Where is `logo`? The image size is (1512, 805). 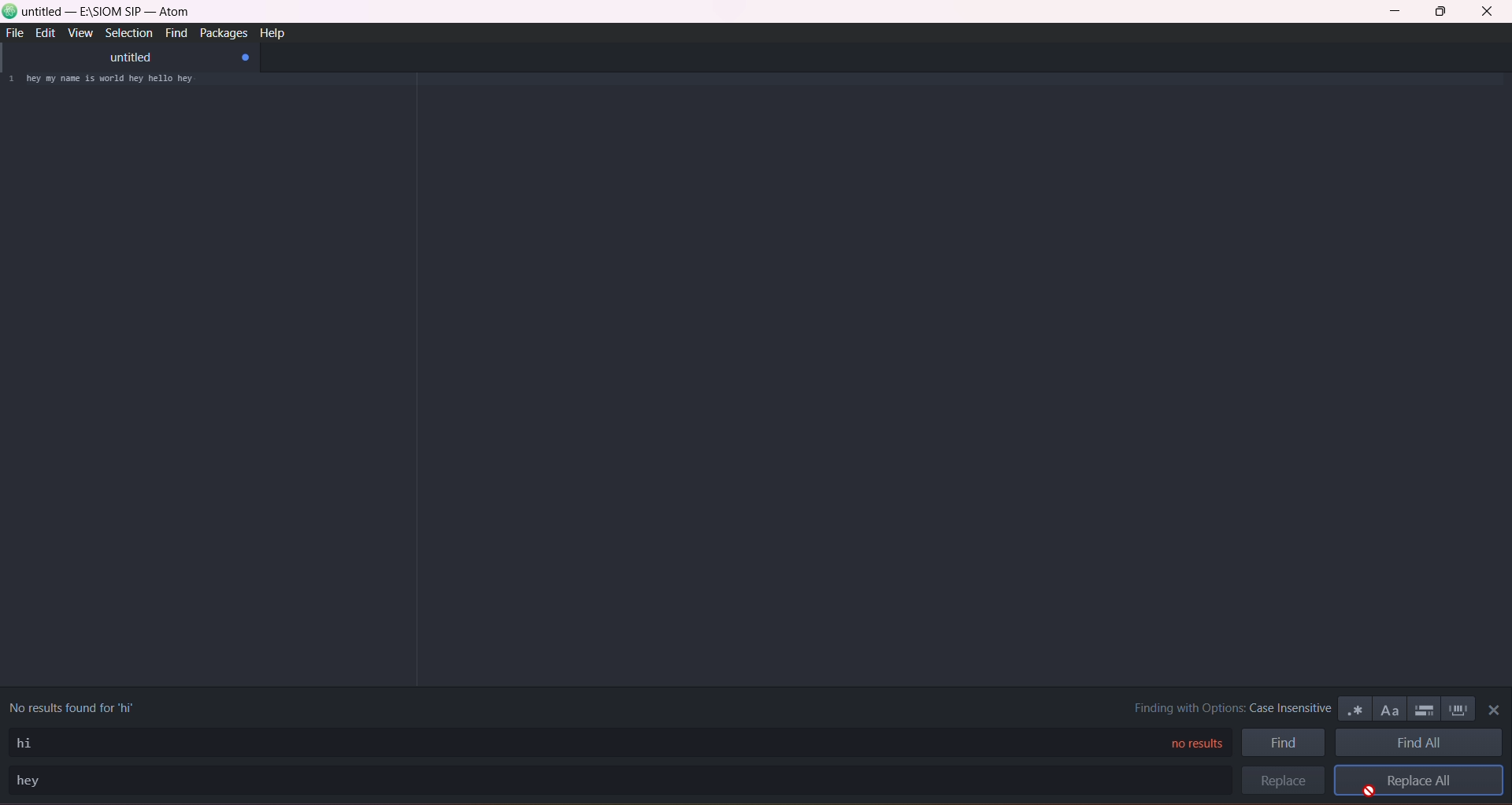 logo is located at coordinates (10, 13).